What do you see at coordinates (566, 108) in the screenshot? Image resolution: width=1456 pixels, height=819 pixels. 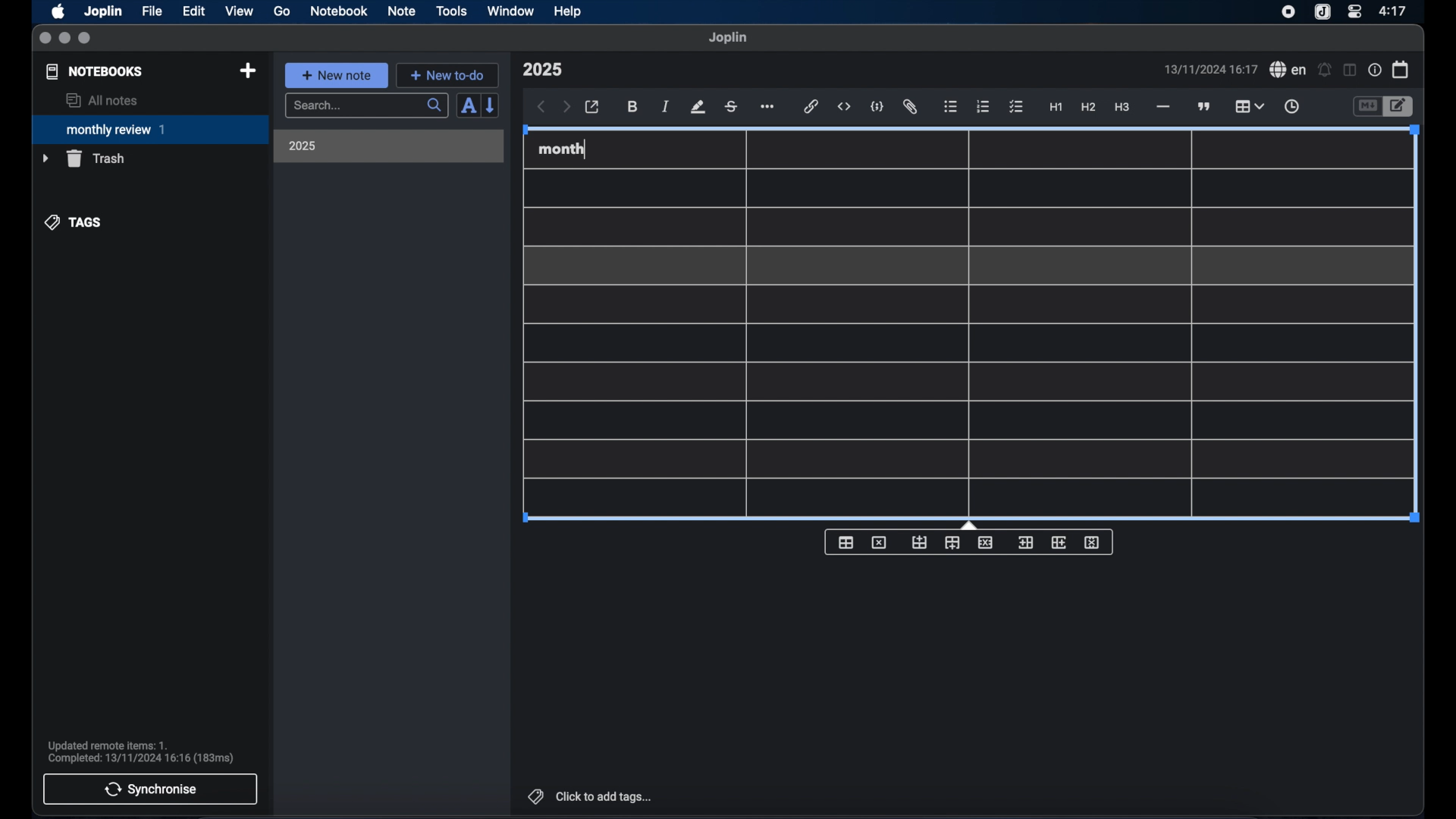 I see `forward` at bounding box center [566, 108].